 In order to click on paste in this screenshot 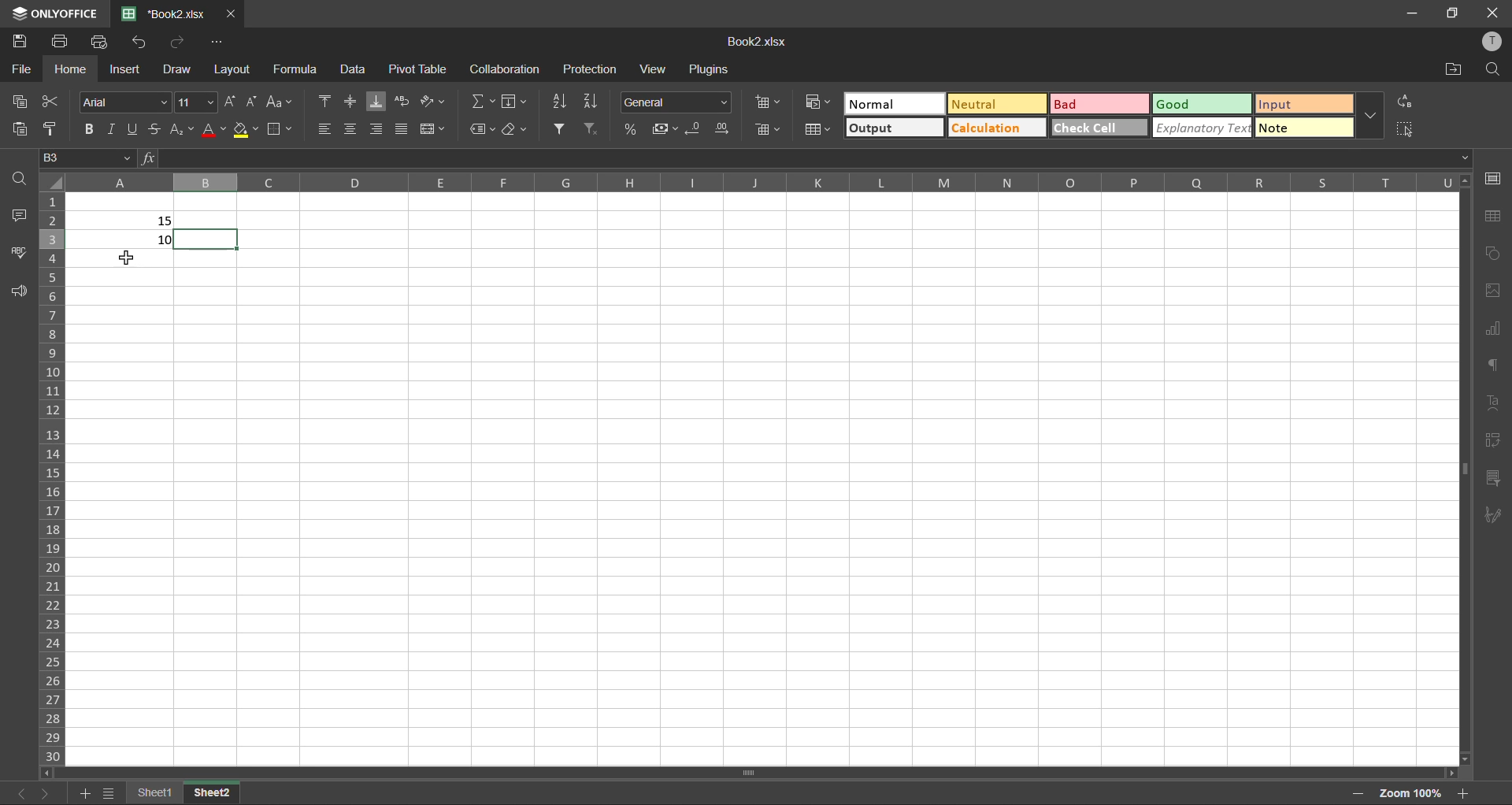, I will do `click(17, 128)`.